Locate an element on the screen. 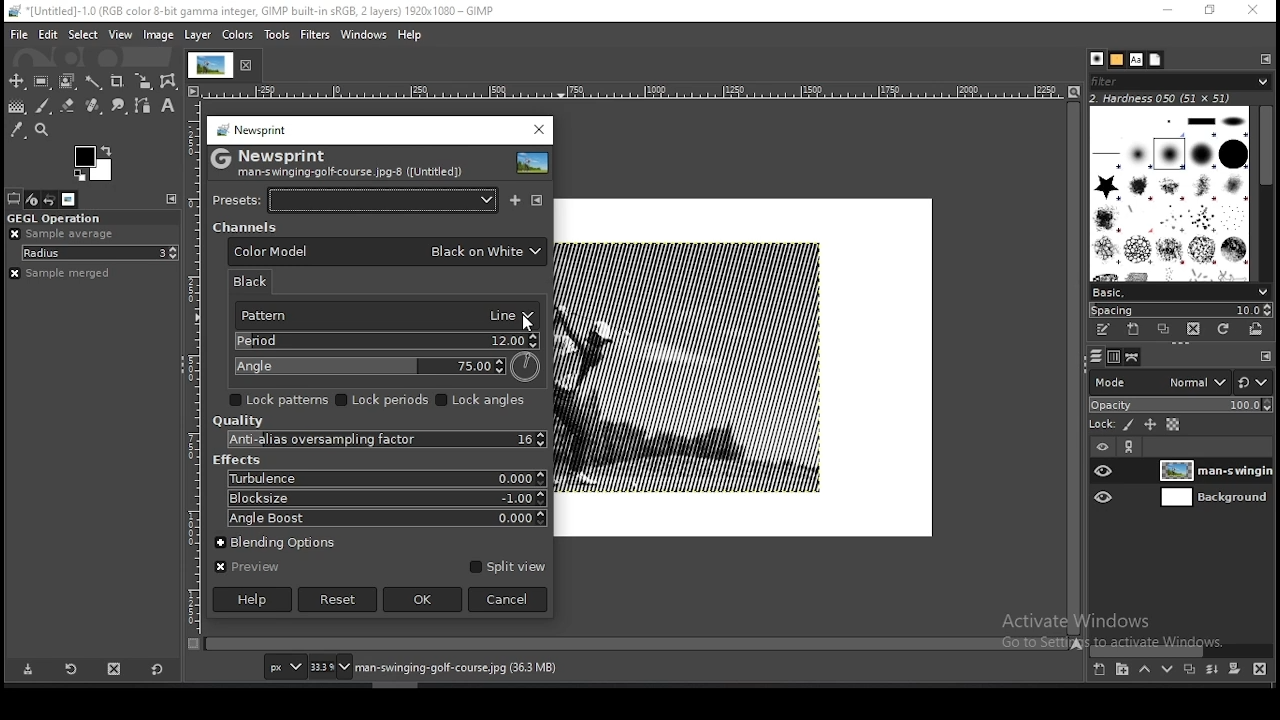  cancel is located at coordinates (508, 599).